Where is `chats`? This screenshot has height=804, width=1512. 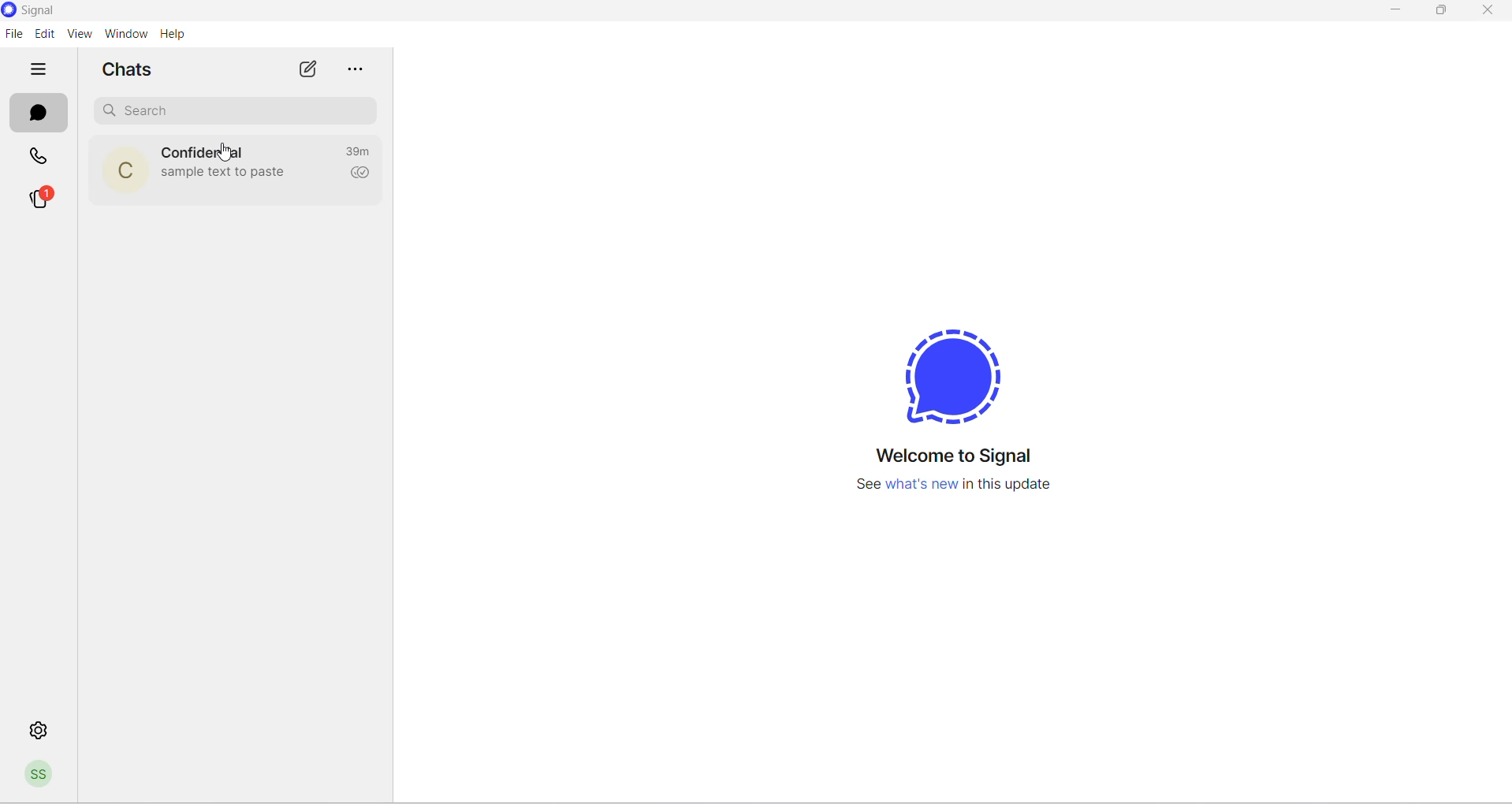 chats is located at coordinates (34, 114).